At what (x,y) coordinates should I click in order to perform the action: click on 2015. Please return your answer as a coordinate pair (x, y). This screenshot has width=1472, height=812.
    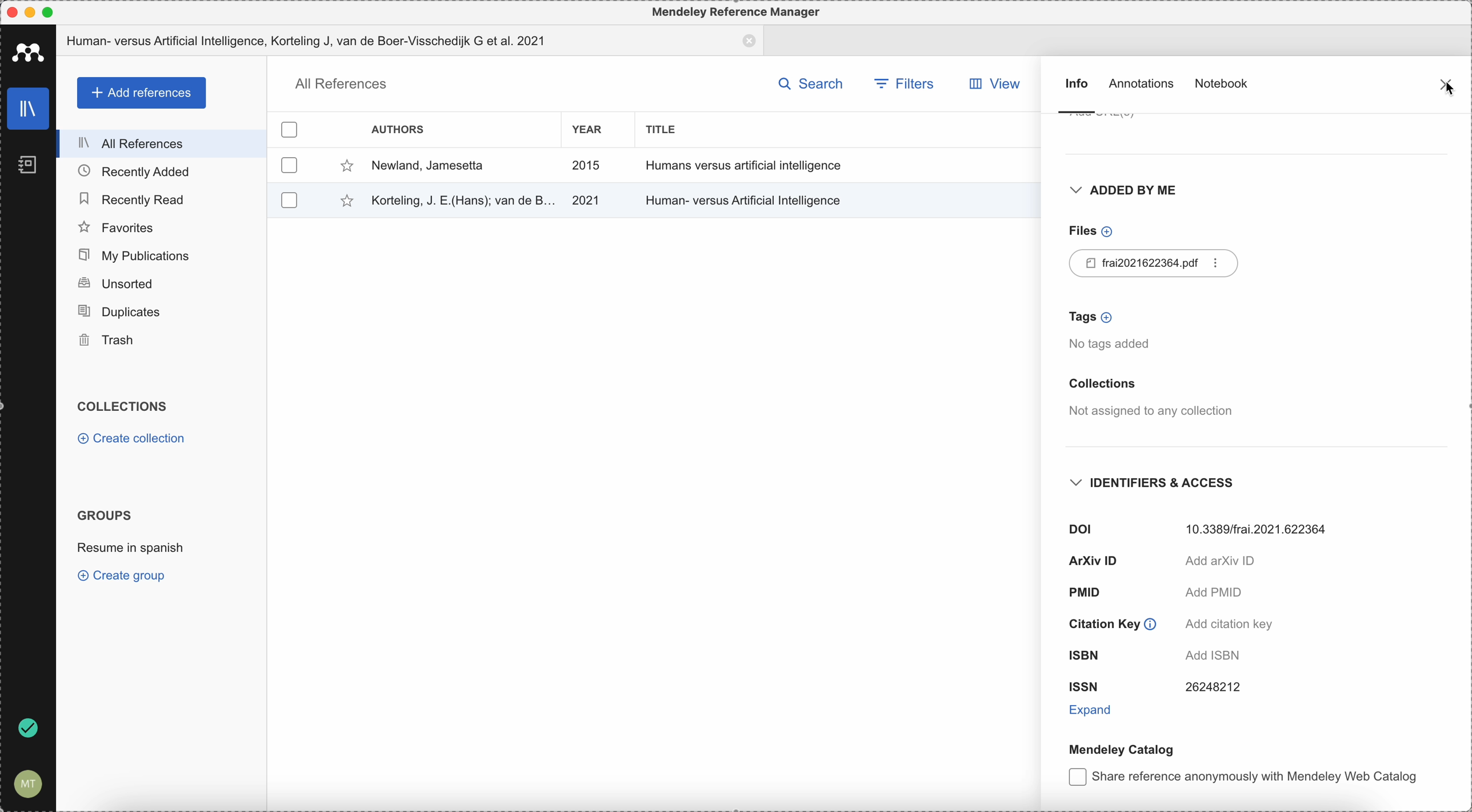
    Looking at the image, I should click on (587, 166).